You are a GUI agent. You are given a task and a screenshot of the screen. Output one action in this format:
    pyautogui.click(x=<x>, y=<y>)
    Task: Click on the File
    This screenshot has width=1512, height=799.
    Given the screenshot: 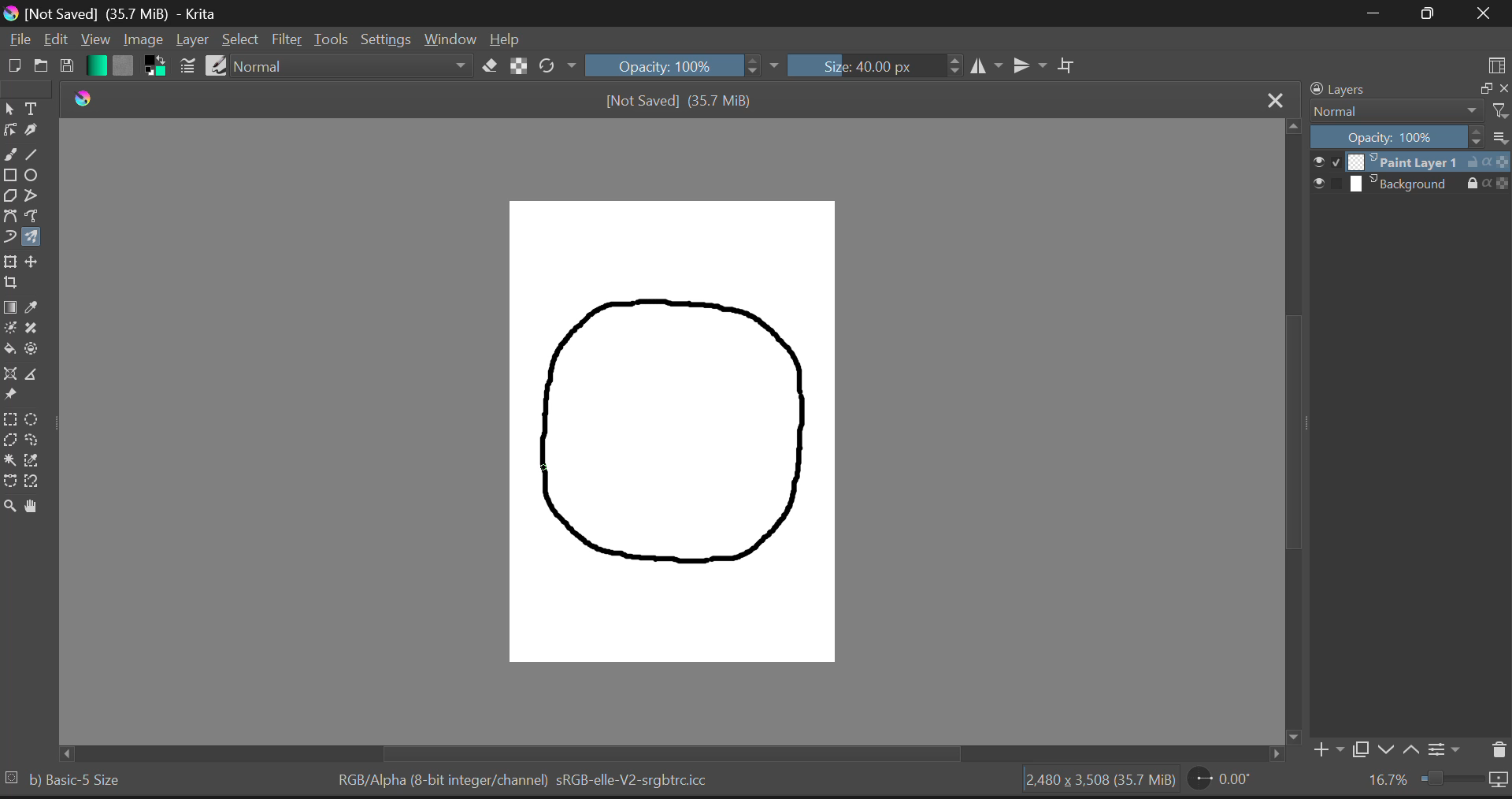 What is the action you would take?
    pyautogui.click(x=18, y=42)
    